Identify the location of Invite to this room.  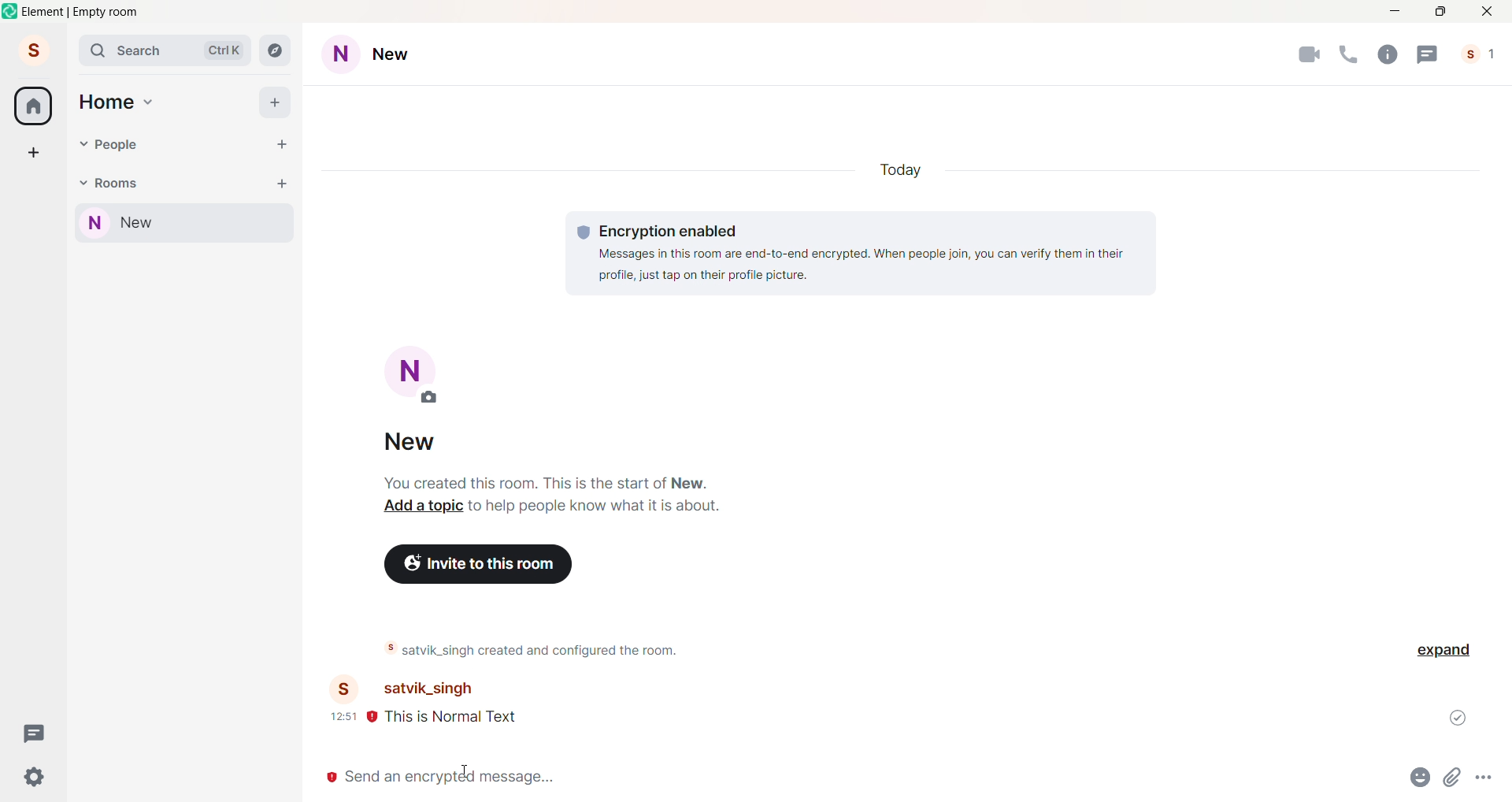
(480, 563).